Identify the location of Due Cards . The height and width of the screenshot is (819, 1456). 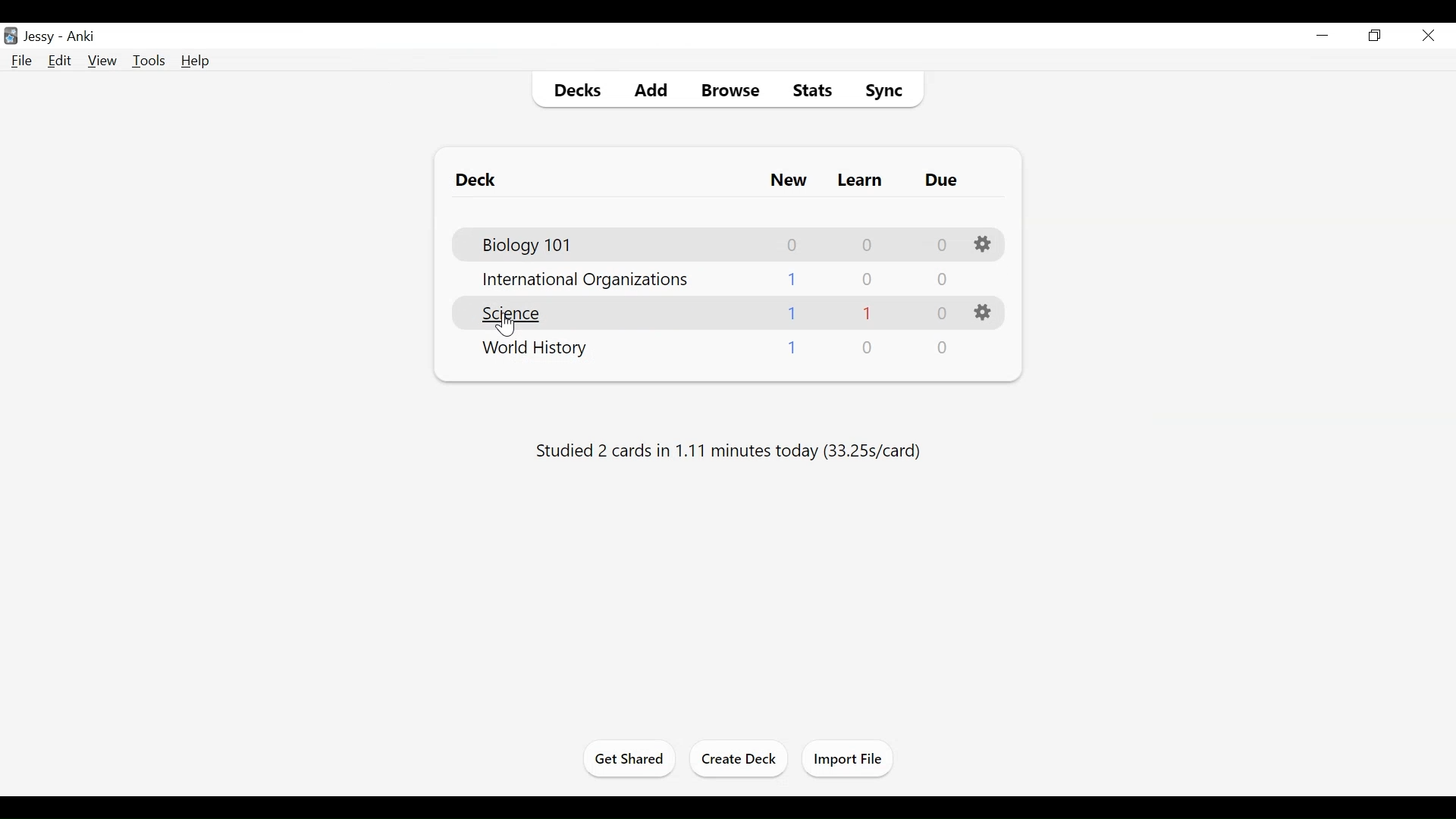
(943, 180).